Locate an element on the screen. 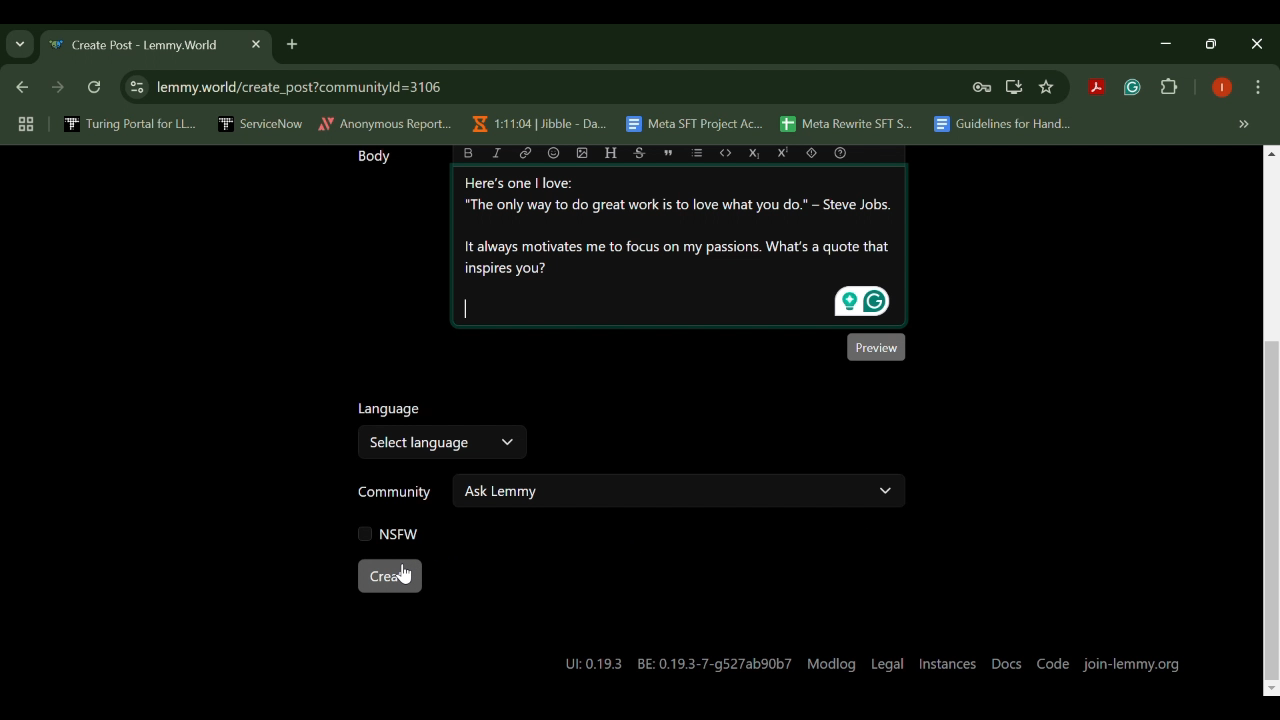 The image size is (1280, 720). Restore Down is located at coordinates (1170, 43).